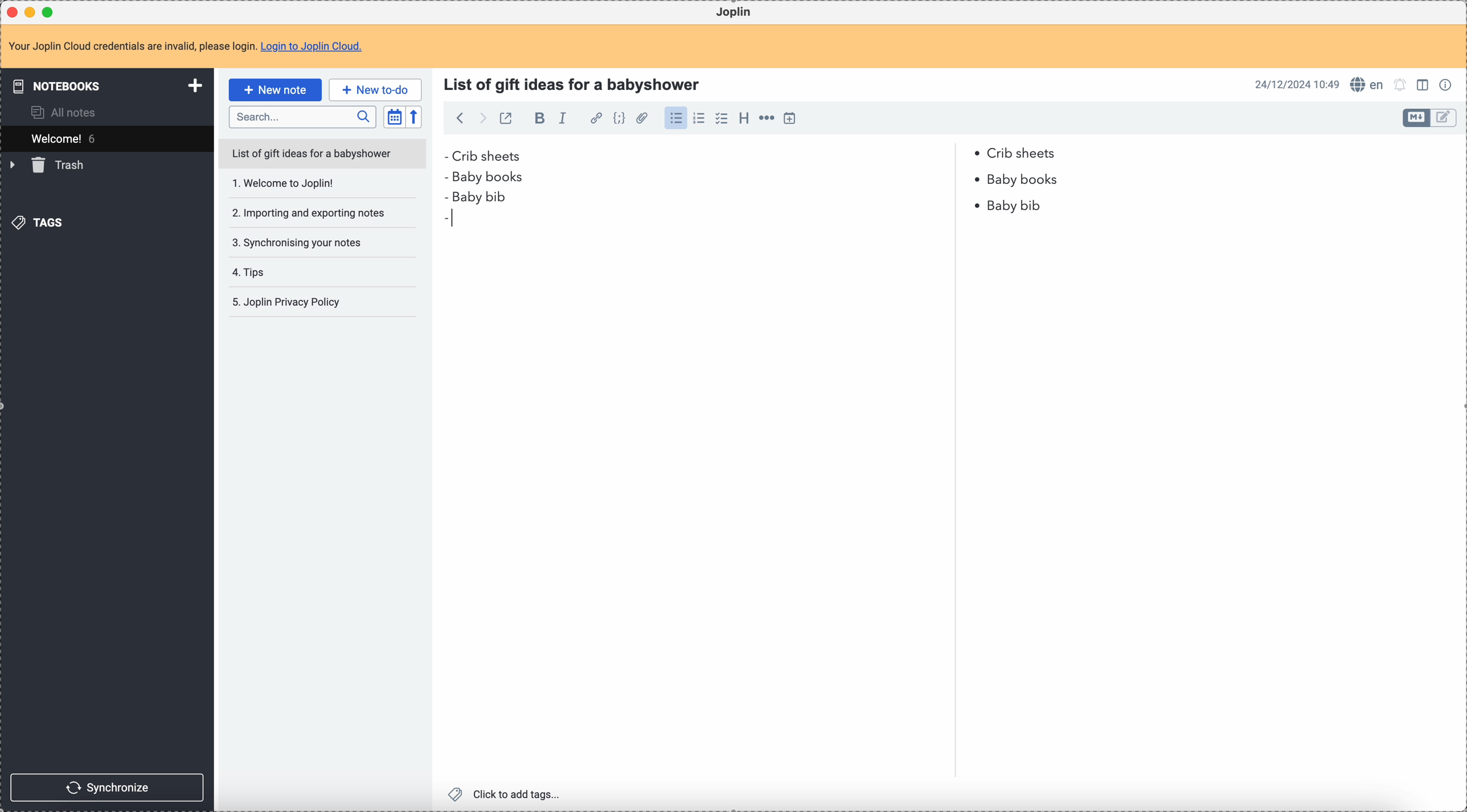 Image resolution: width=1467 pixels, height=812 pixels. What do you see at coordinates (324, 155) in the screenshot?
I see `list of gift ideas for a babyshower` at bounding box center [324, 155].